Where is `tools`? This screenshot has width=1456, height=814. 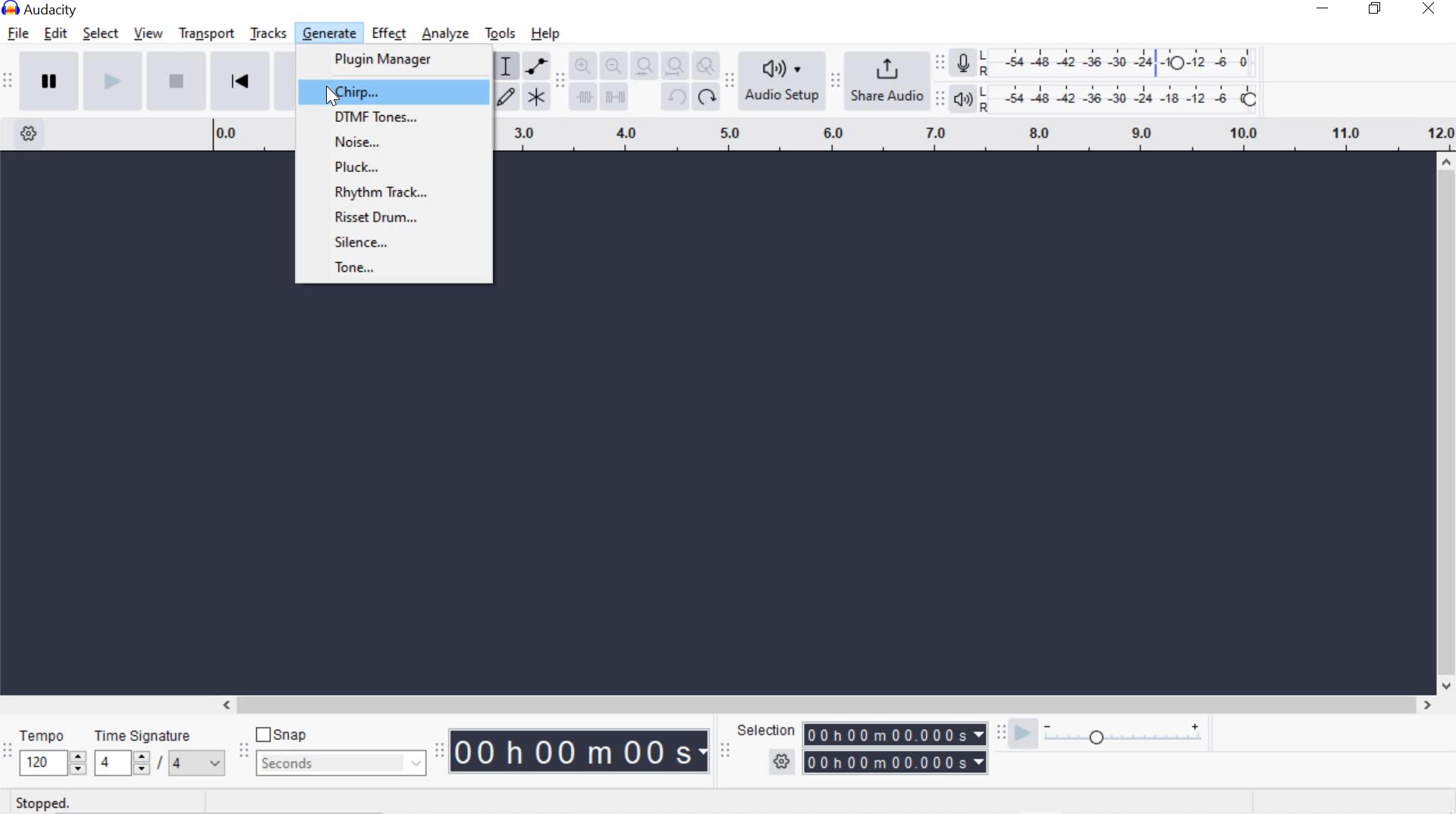 tools is located at coordinates (500, 35).